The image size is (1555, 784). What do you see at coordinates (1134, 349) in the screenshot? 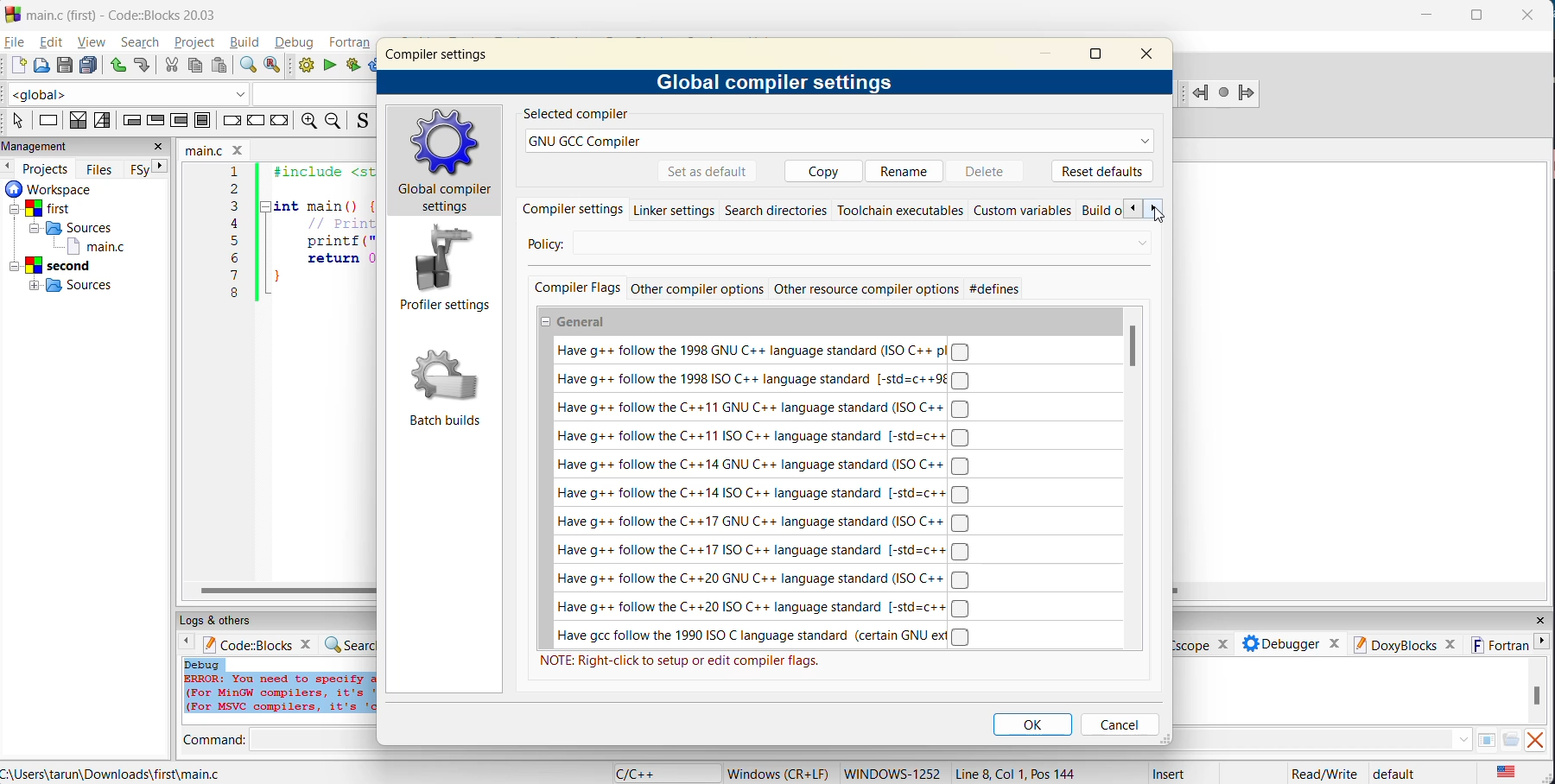
I see `vertical scroll bar` at bounding box center [1134, 349].